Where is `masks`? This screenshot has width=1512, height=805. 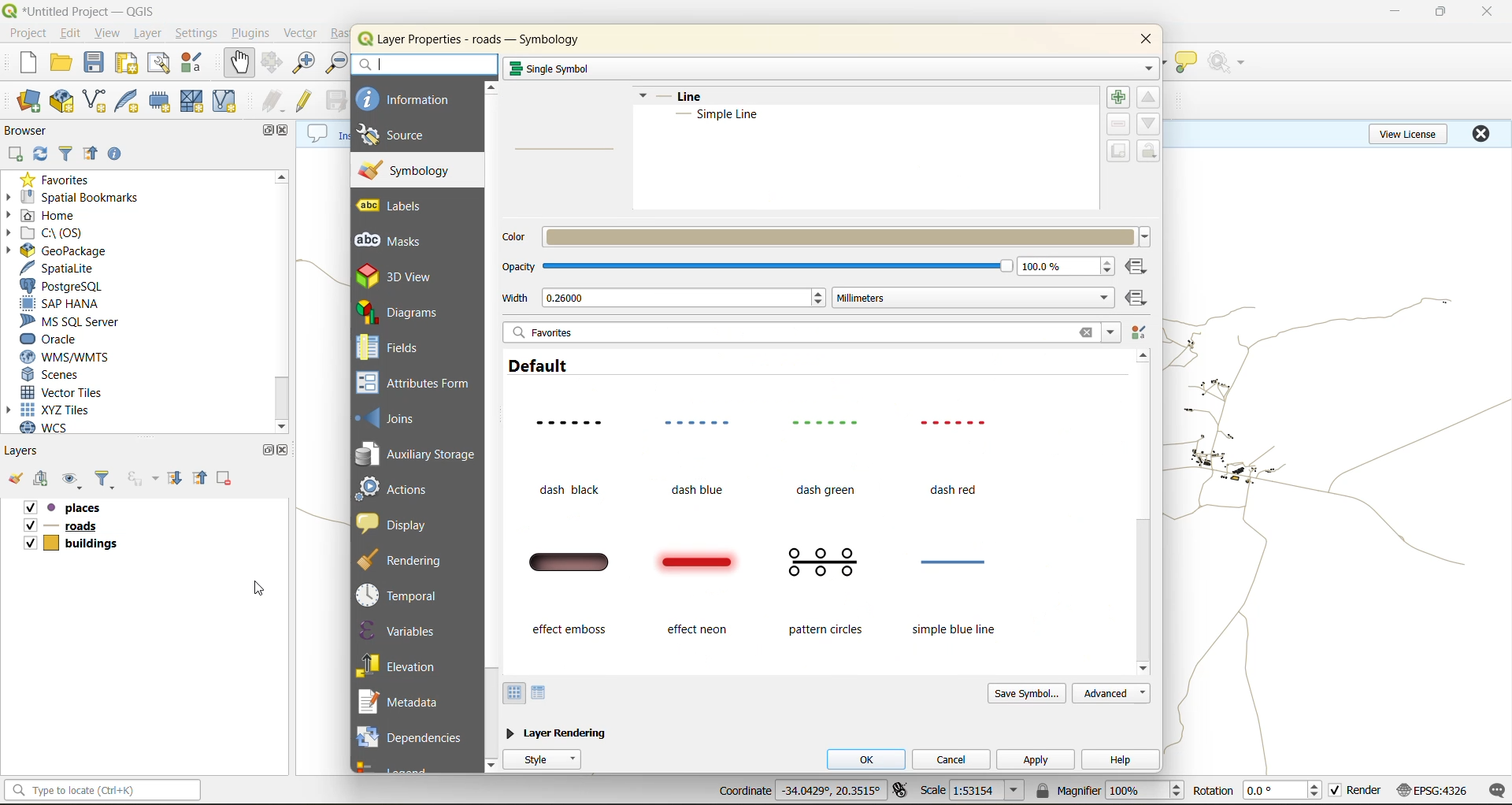 masks is located at coordinates (391, 240).